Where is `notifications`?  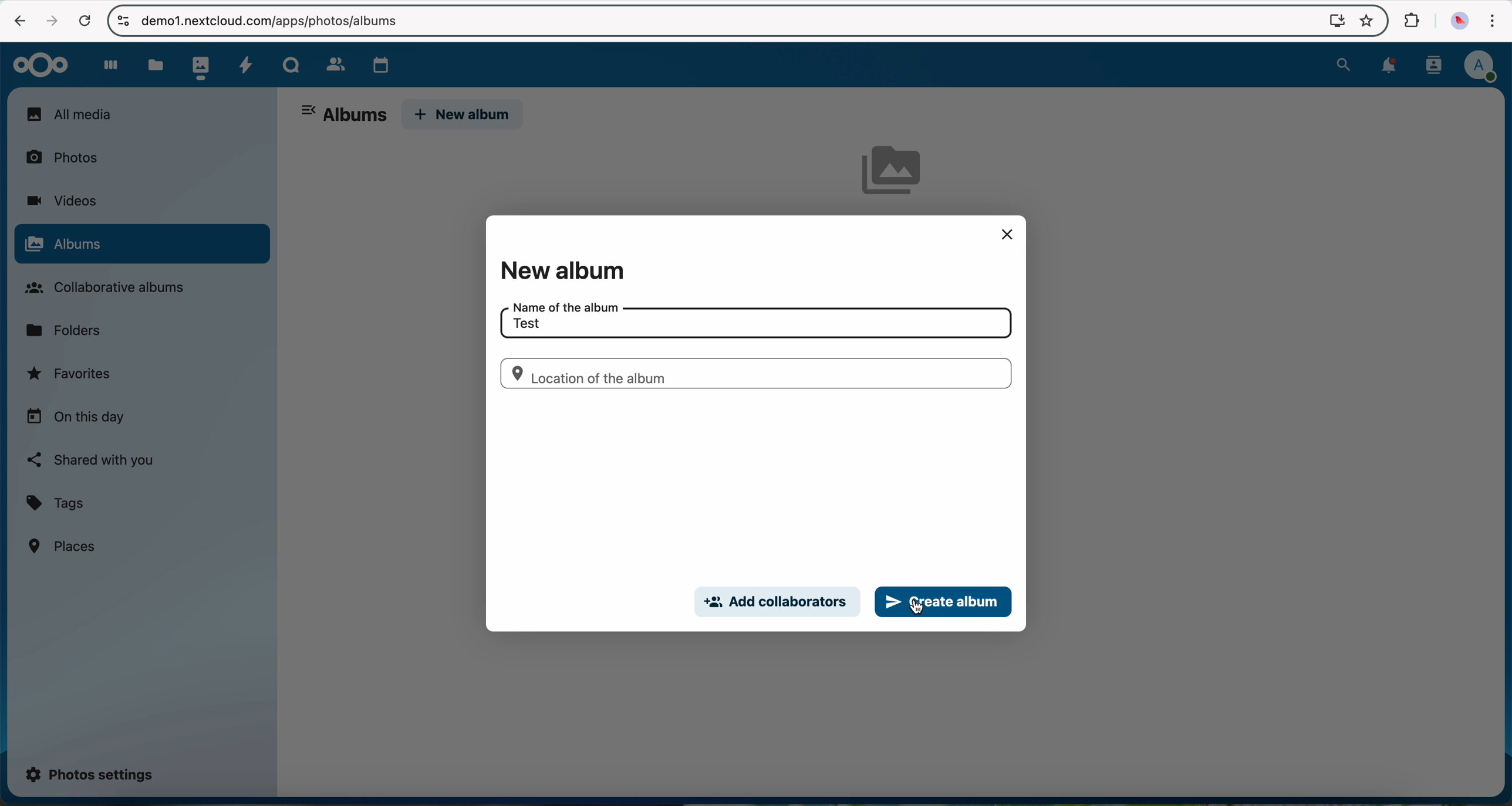 notifications is located at coordinates (1385, 66).